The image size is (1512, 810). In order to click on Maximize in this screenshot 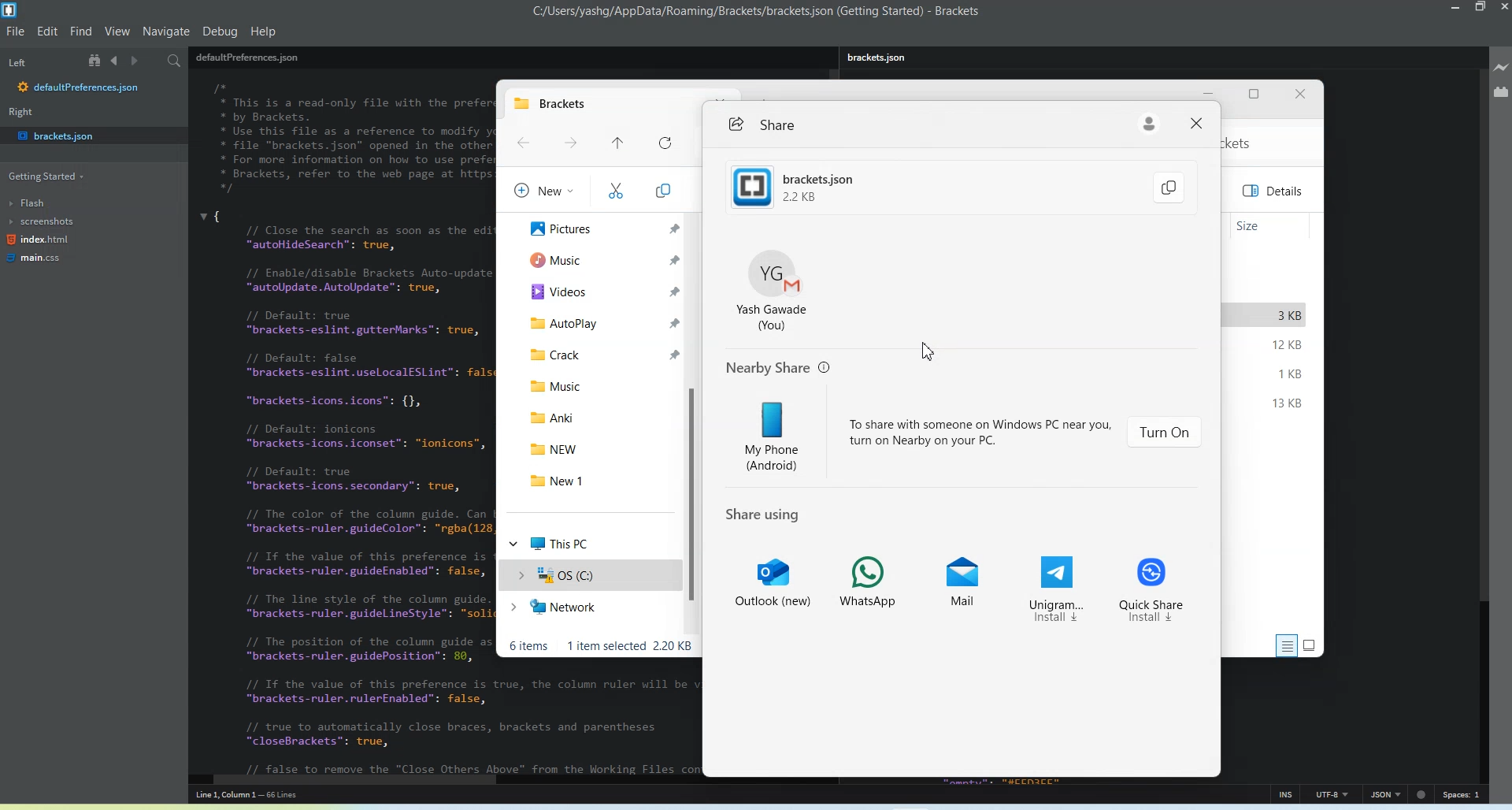, I will do `click(1481, 8)`.